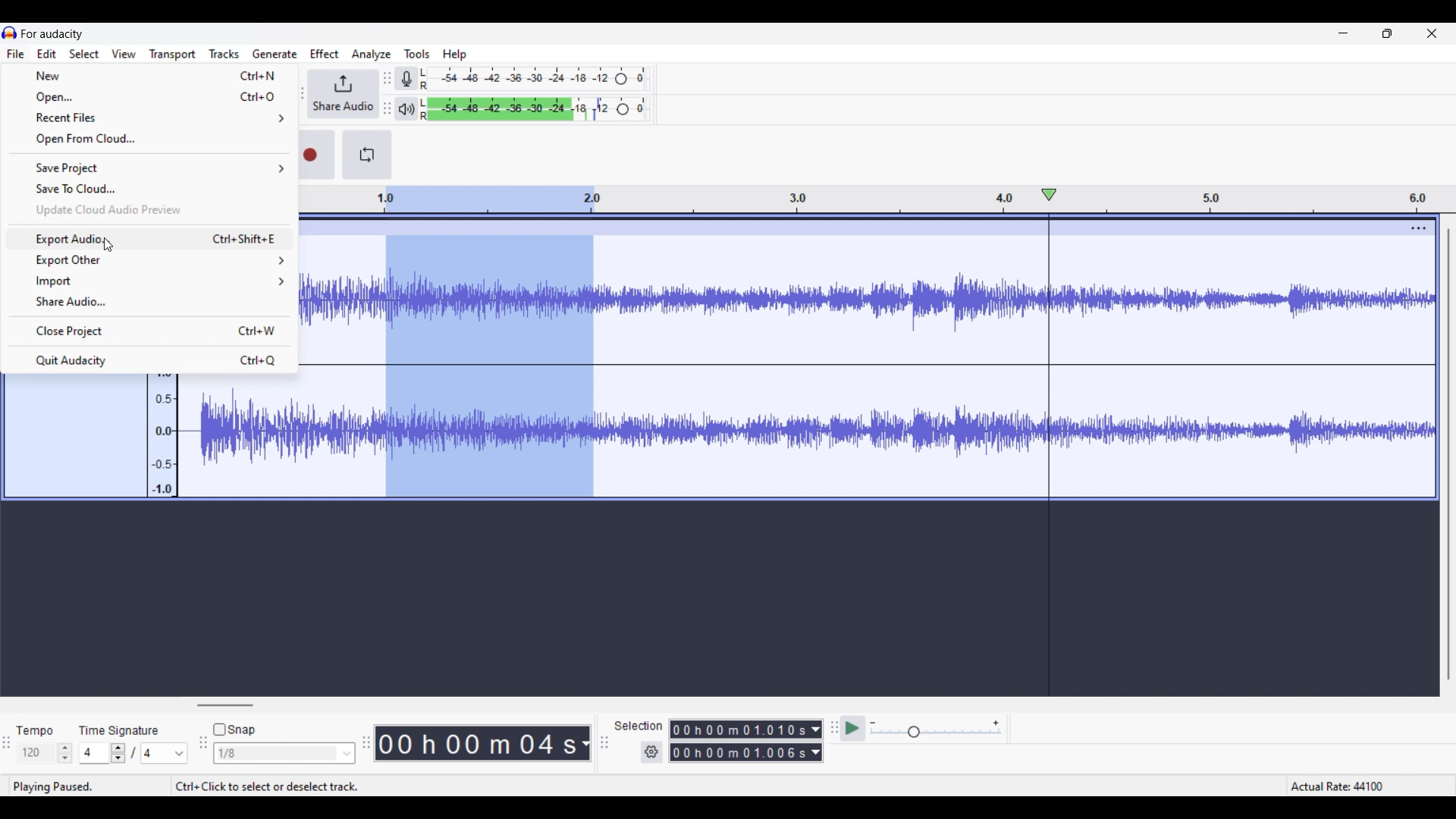  What do you see at coordinates (490, 341) in the screenshot?
I see `Track selection` at bounding box center [490, 341].